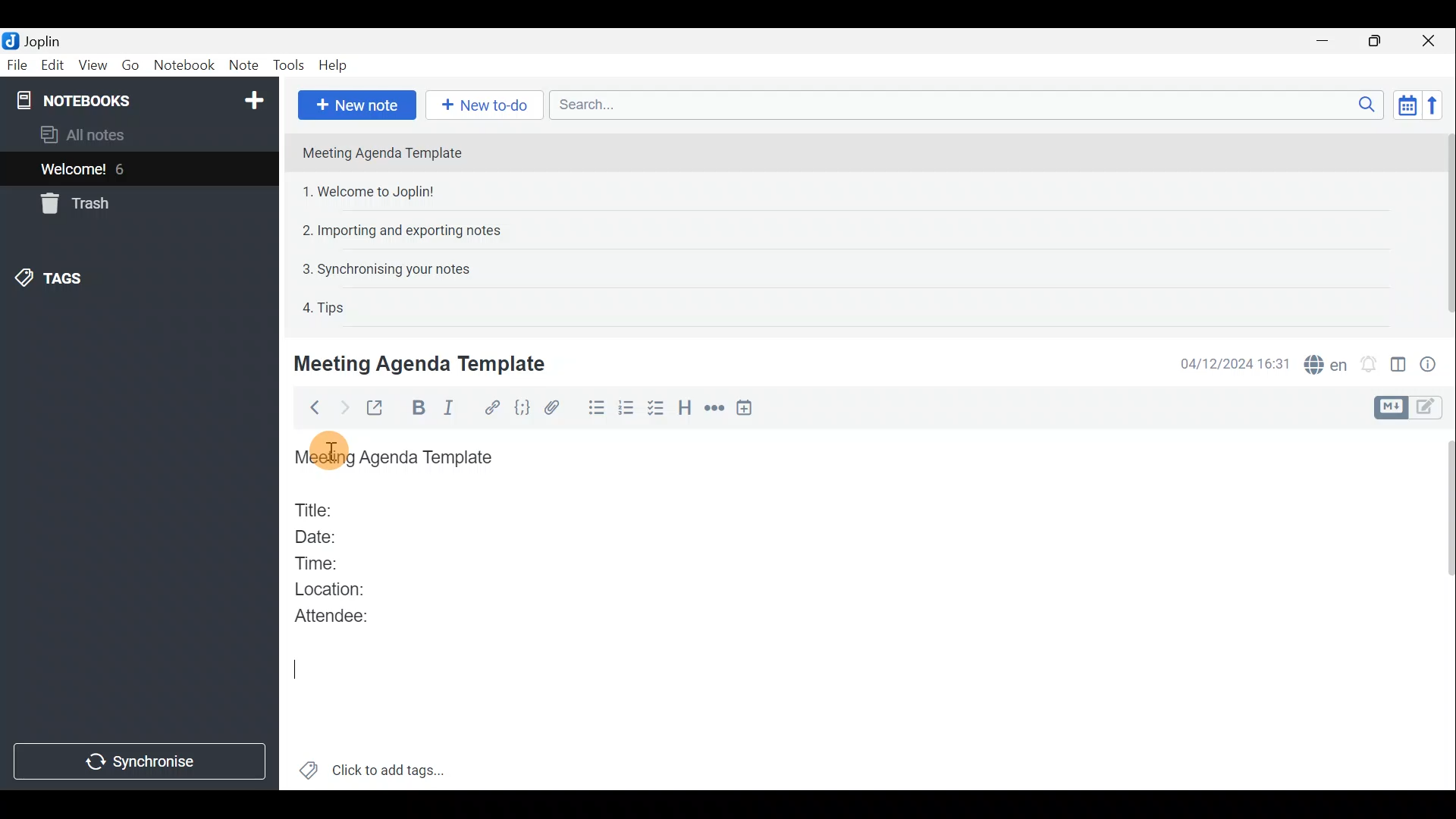 The width and height of the screenshot is (1456, 819). Describe the element at coordinates (1376, 42) in the screenshot. I see `Maximise` at that location.